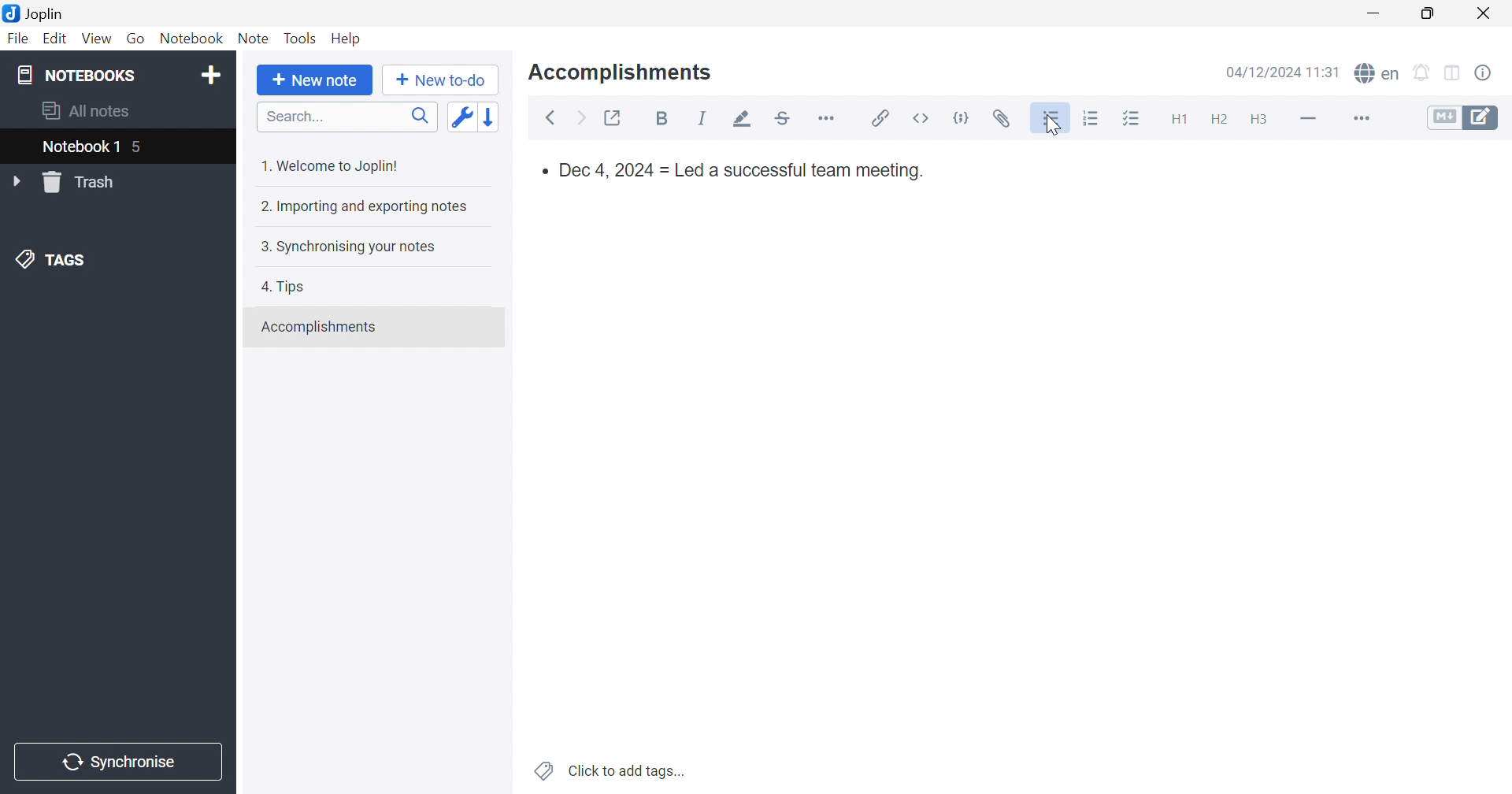  Describe the element at coordinates (140, 148) in the screenshot. I see `5` at that location.